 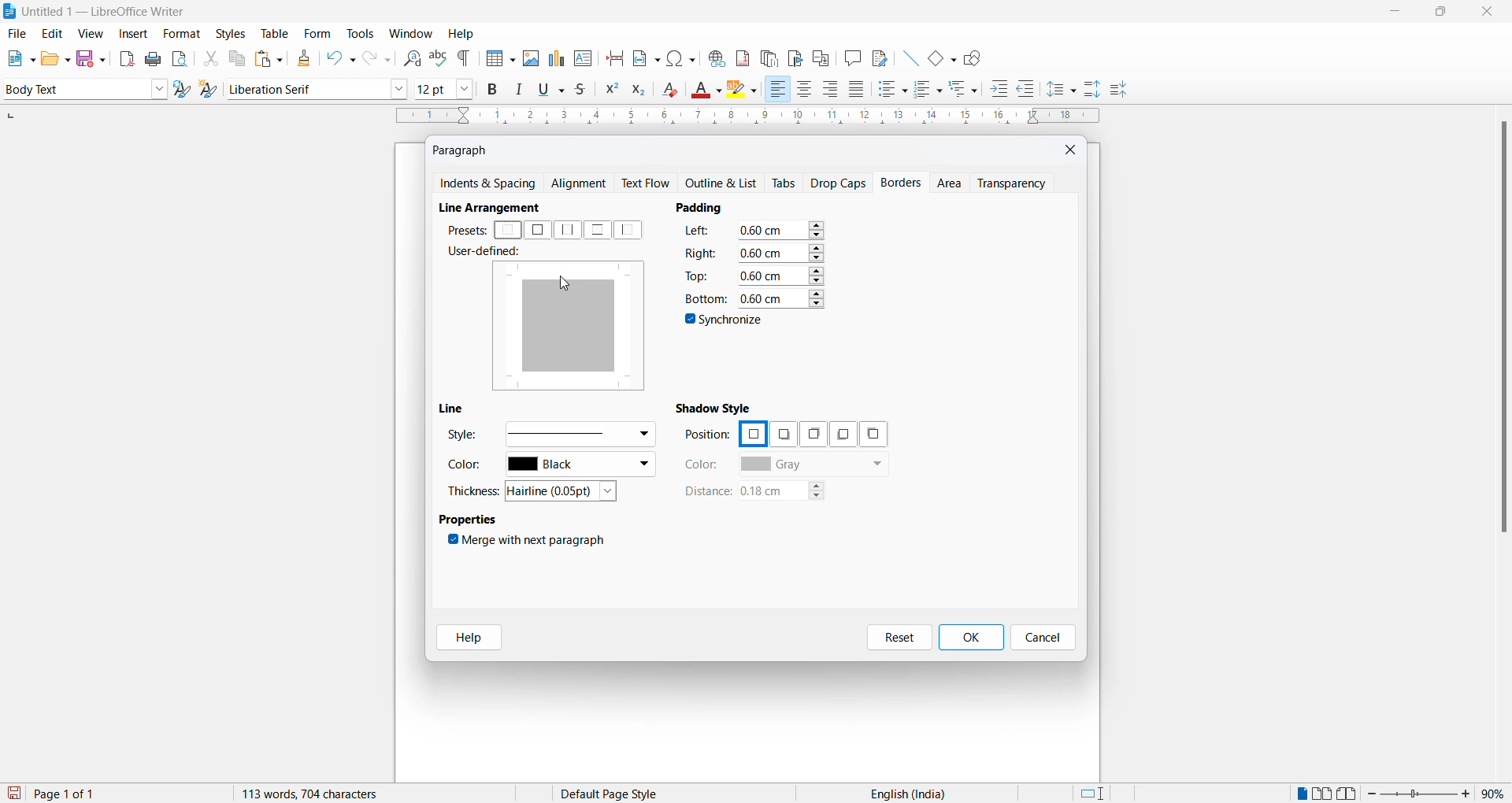 What do you see at coordinates (178, 35) in the screenshot?
I see `format` at bounding box center [178, 35].